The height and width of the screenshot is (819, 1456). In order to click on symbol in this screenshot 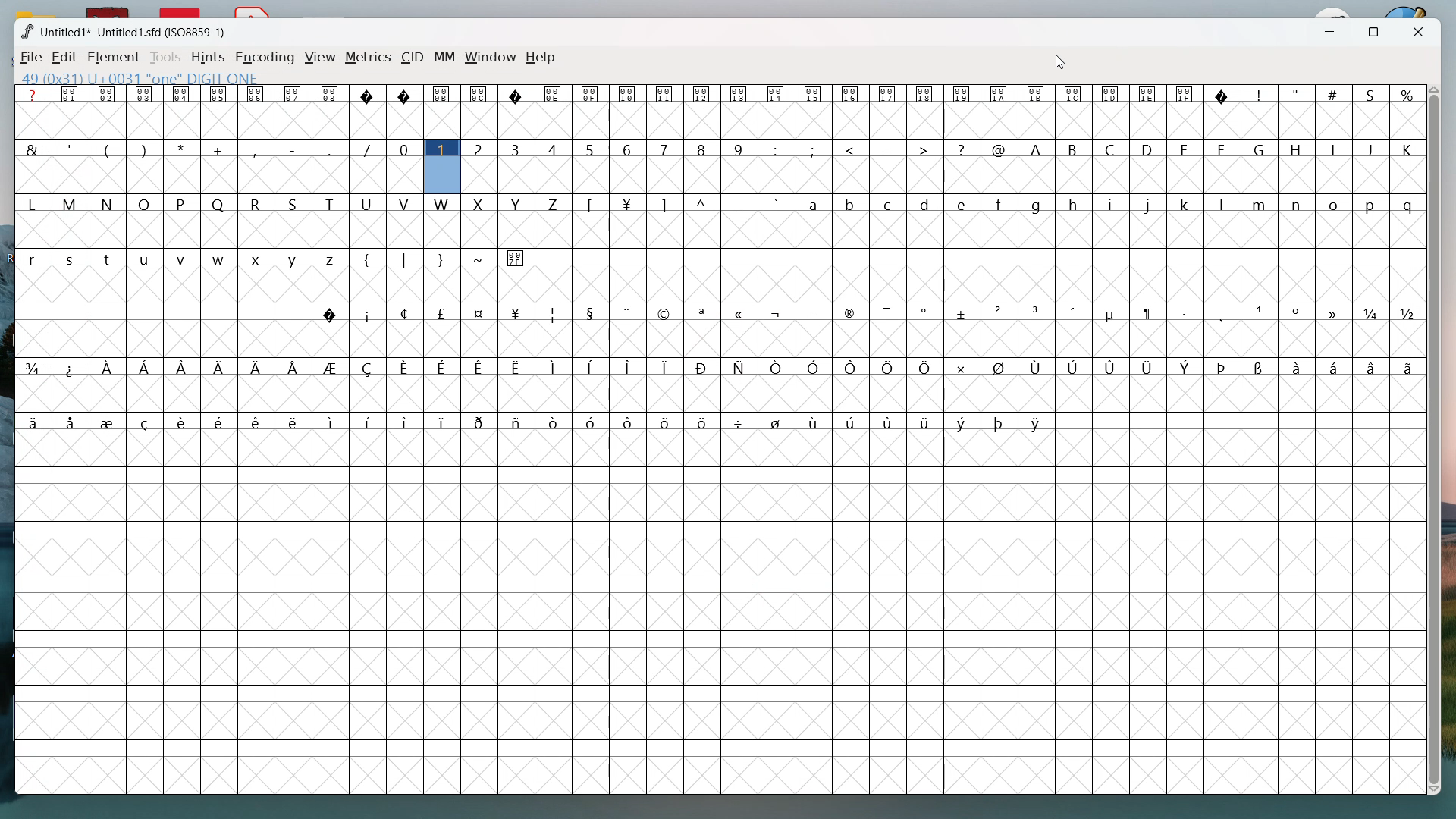, I will do `click(182, 94)`.